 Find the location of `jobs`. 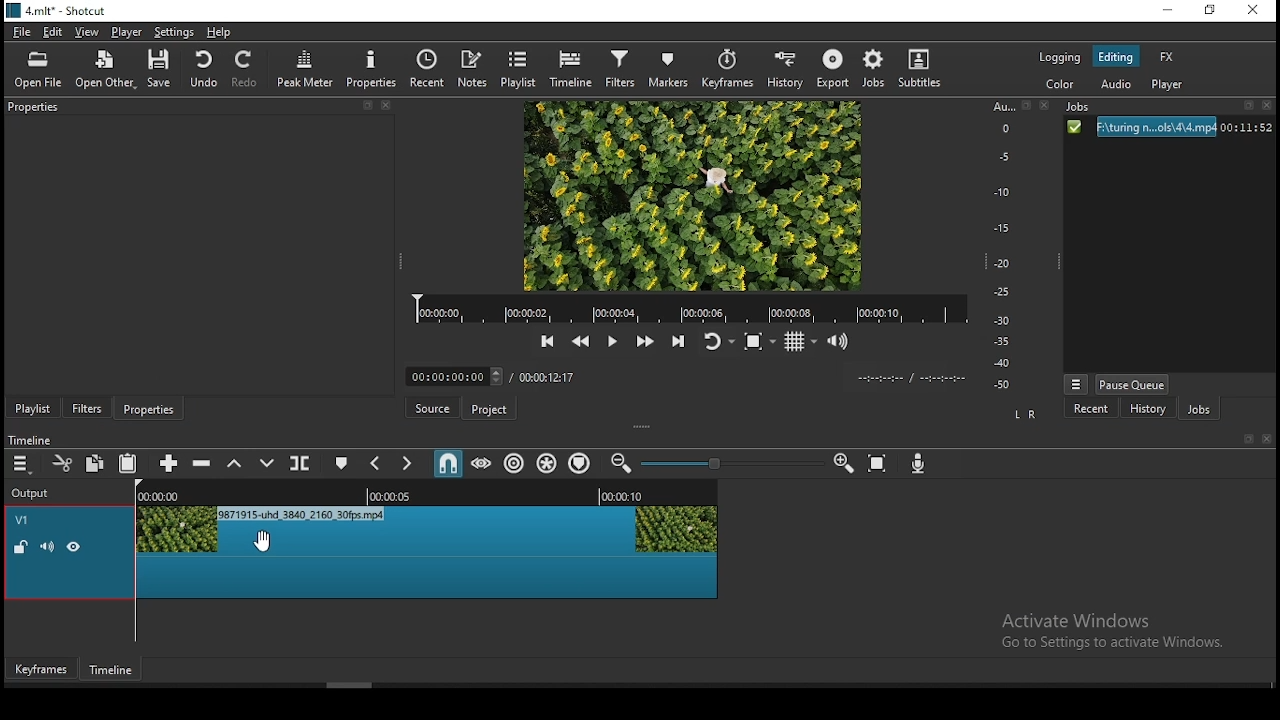

jobs is located at coordinates (1198, 411).